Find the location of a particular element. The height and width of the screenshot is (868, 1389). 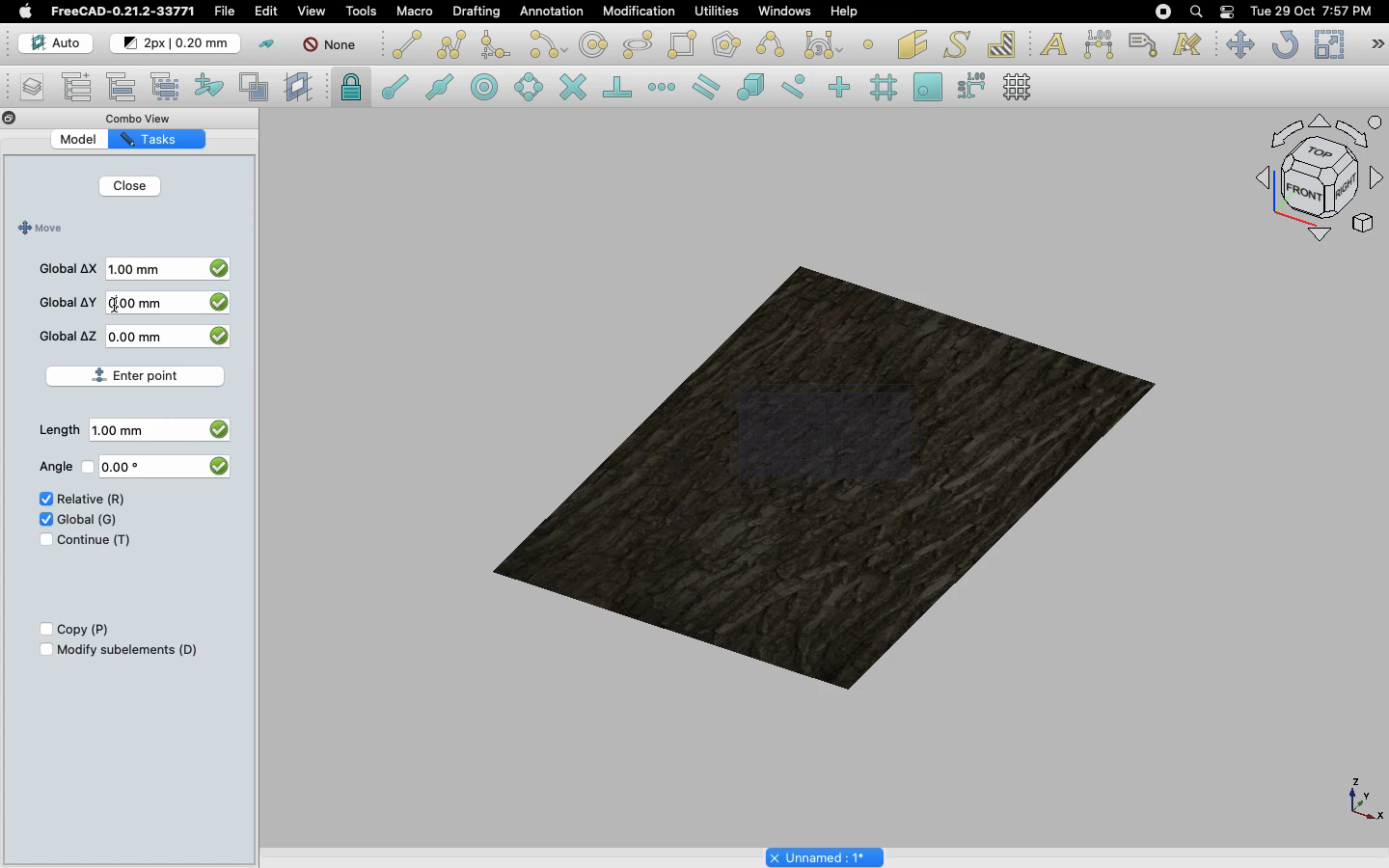

Rectangle is located at coordinates (686, 45).